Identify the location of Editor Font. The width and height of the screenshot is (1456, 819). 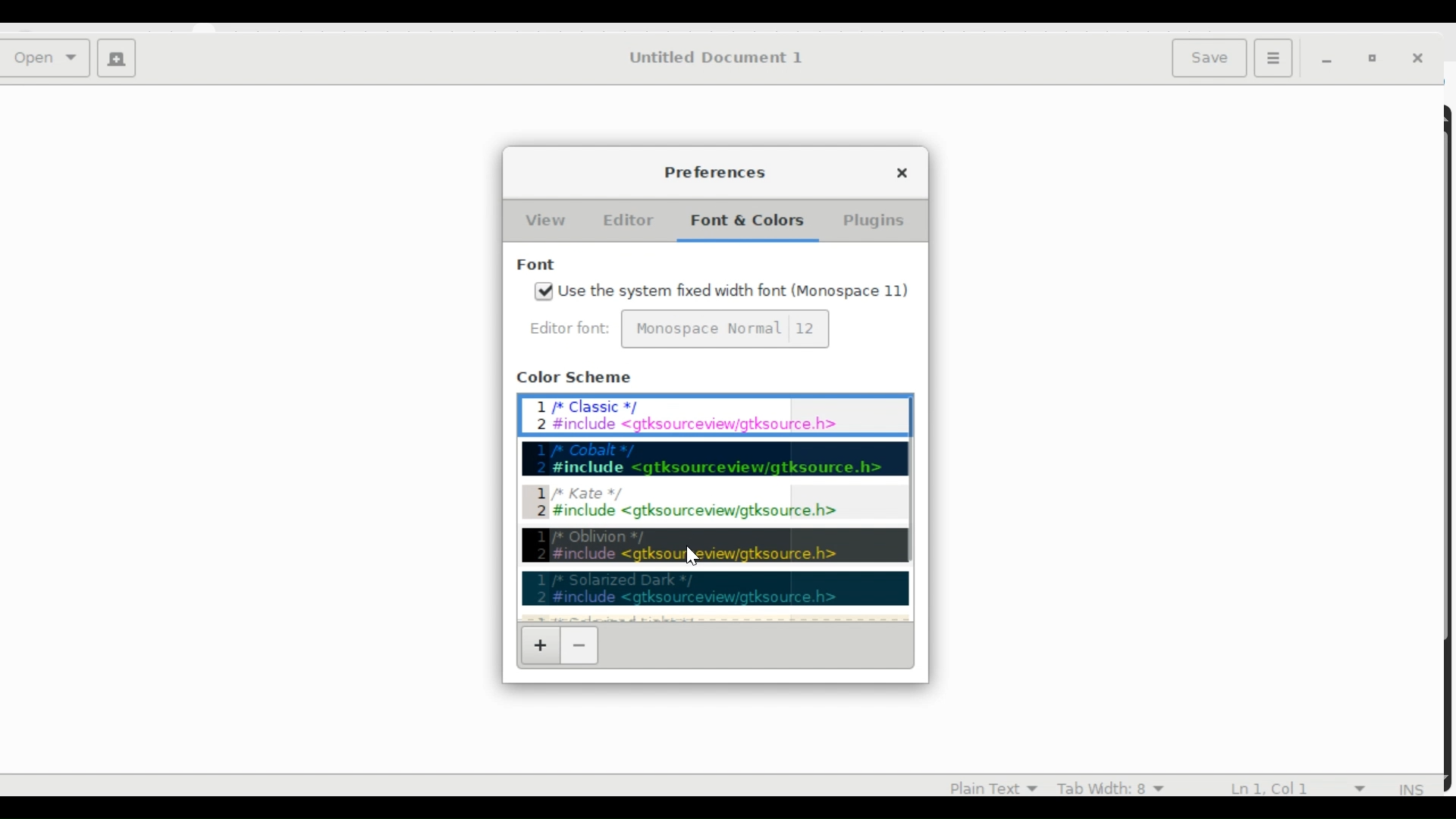
(572, 328).